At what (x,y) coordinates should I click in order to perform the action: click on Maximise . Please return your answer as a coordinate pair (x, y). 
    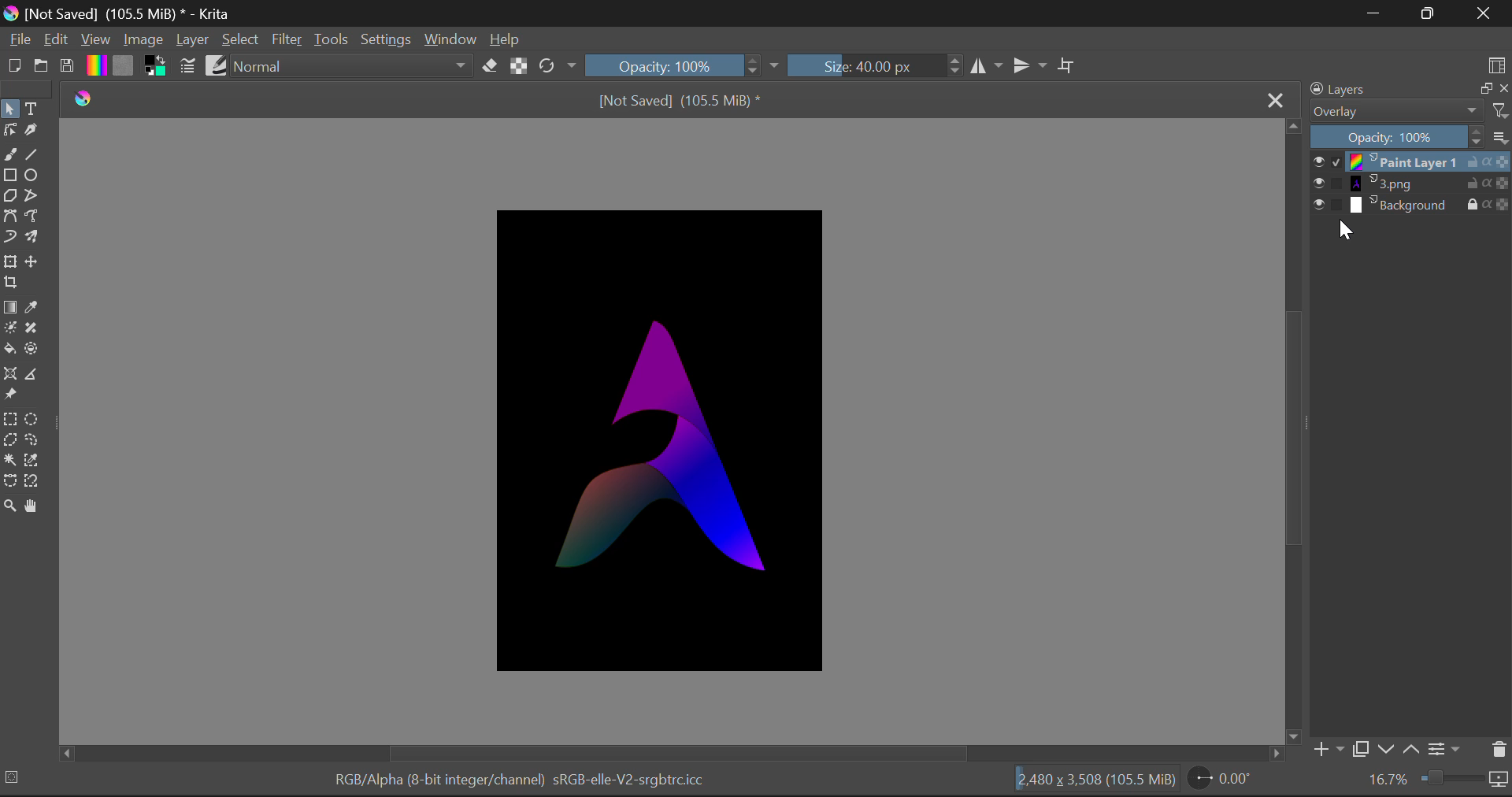
    Looking at the image, I should click on (1428, 13).